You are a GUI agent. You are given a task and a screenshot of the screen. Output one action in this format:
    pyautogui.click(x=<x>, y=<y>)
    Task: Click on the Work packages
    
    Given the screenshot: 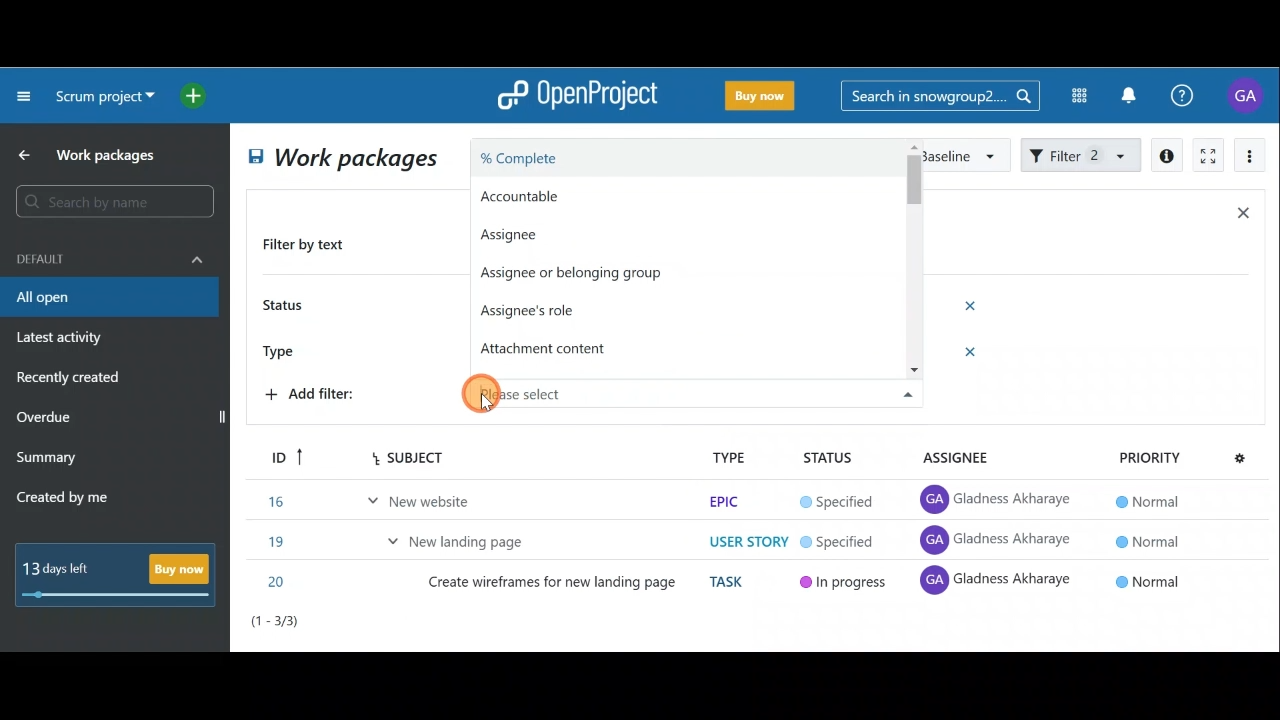 What is the action you would take?
    pyautogui.click(x=91, y=155)
    